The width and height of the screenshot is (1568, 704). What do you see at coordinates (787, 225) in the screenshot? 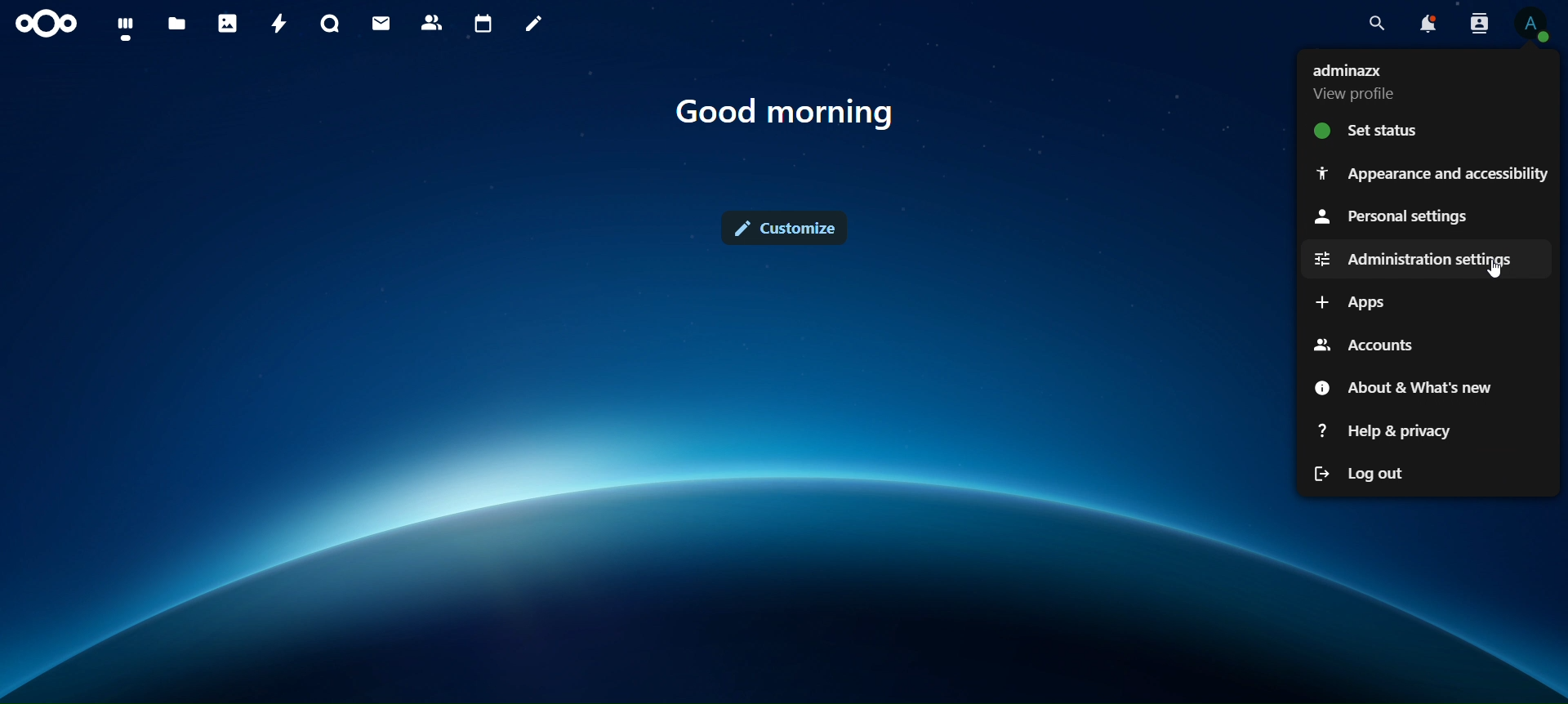
I see `customize` at bounding box center [787, 225].